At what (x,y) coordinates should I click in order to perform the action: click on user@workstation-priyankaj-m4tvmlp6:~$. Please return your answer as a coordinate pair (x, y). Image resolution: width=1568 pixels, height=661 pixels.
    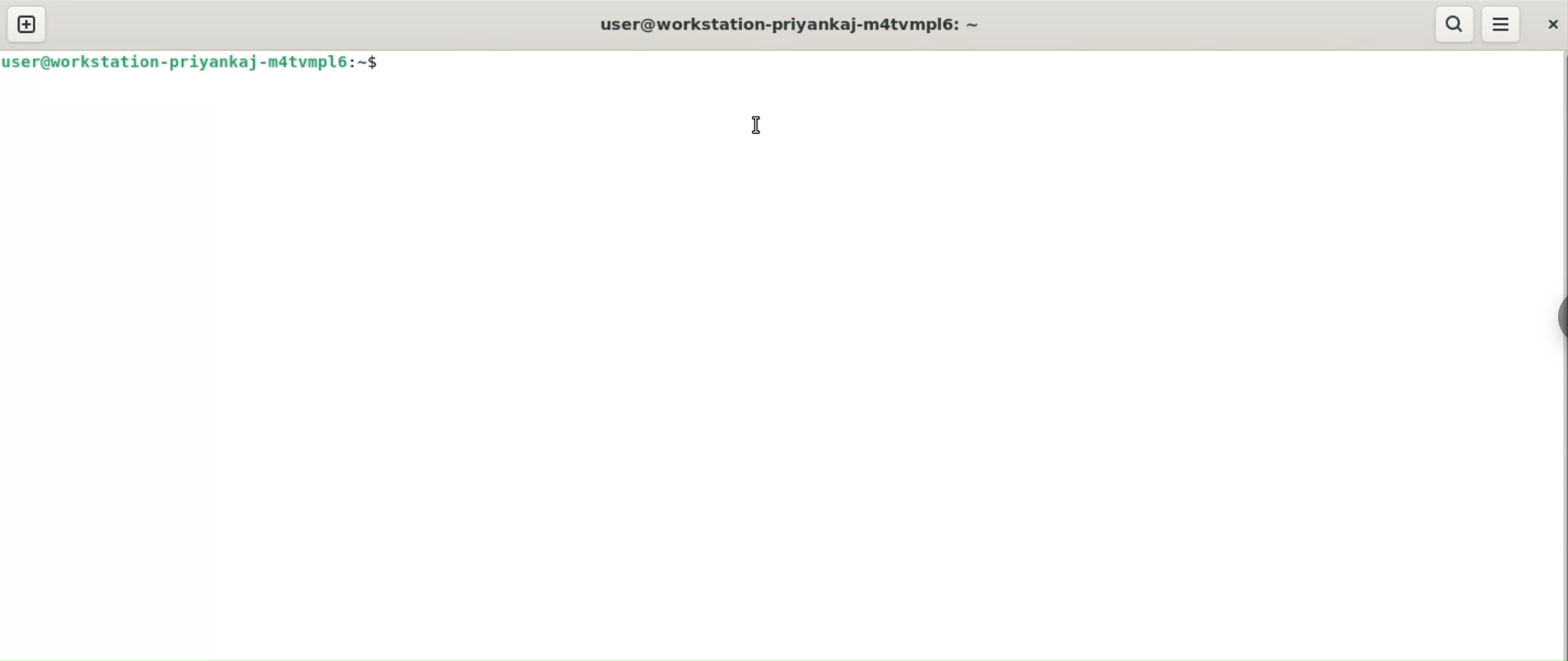
    Looking at the image, I should click on (190, 62).